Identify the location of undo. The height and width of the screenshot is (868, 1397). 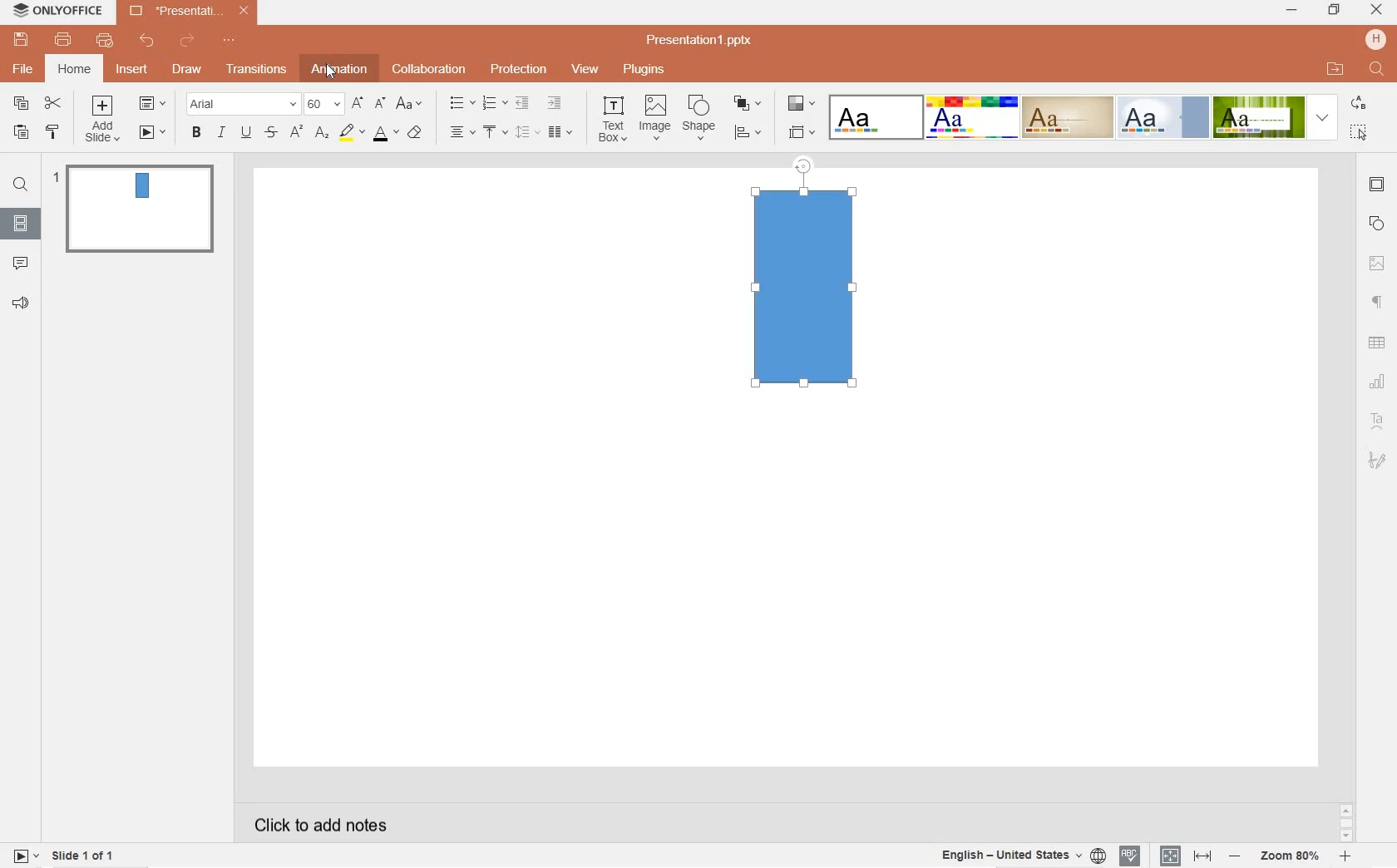
(147, 41).